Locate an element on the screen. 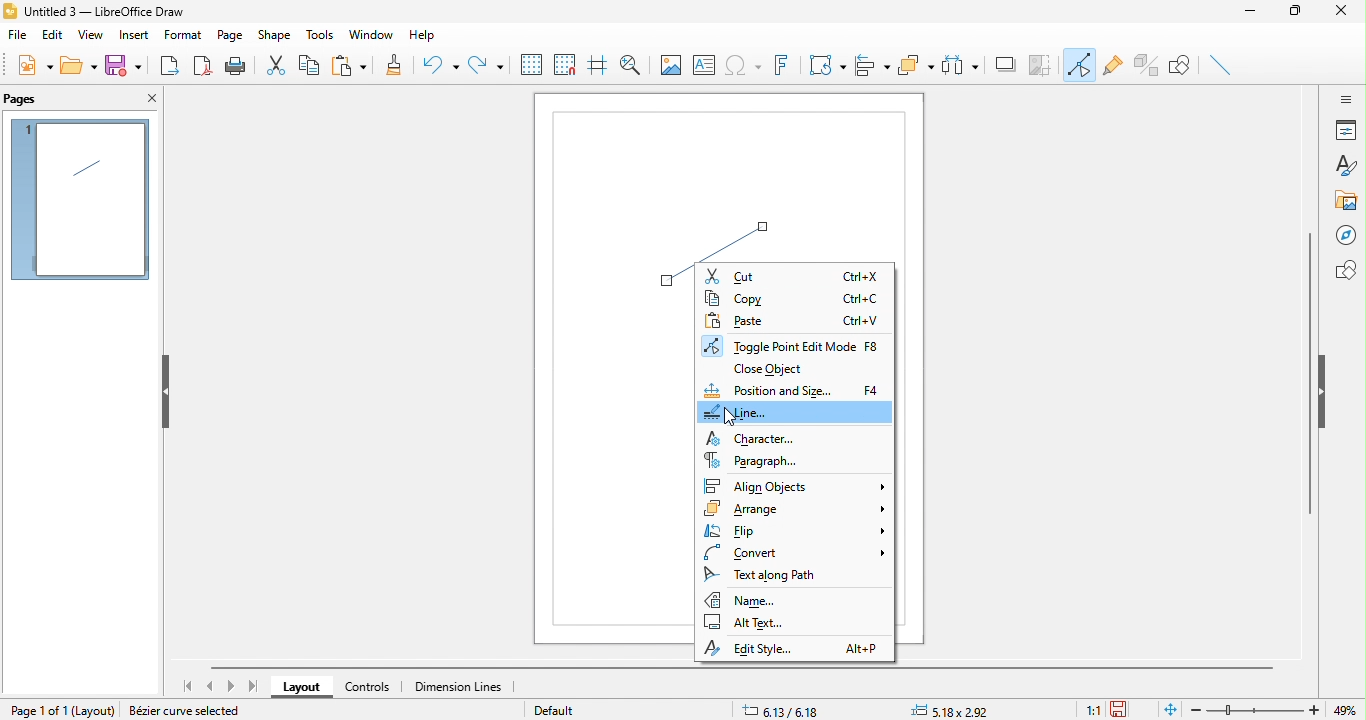 The width and height of the screenshot is (1366, 720). toggle point edit mode is located at coordinates (796, 344).